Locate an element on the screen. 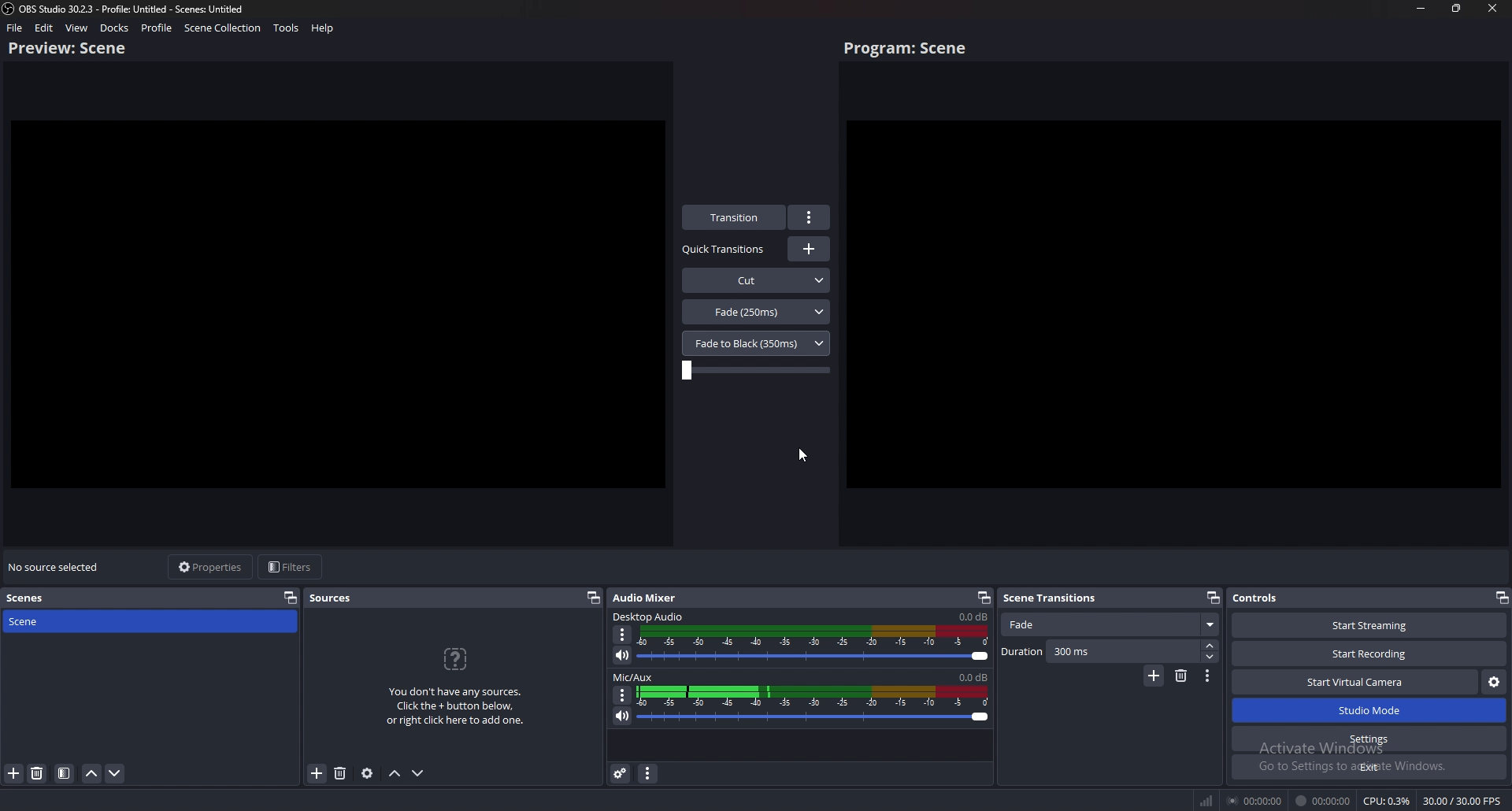 The width and height of the screenshot is (1512, 811). mic/aux sound is located at coordinates (972, 676).